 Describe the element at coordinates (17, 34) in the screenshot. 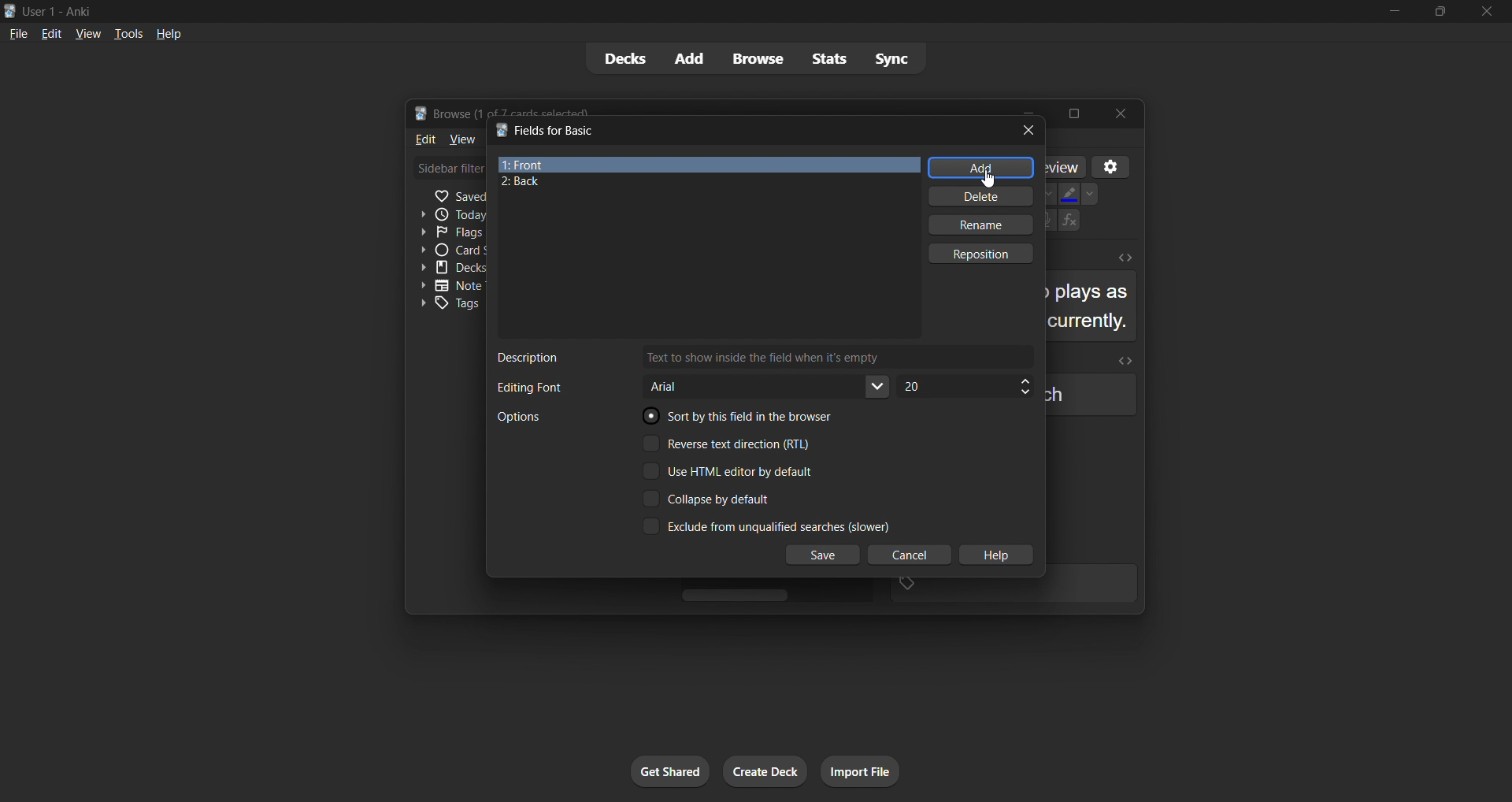

I see `file` at that location.